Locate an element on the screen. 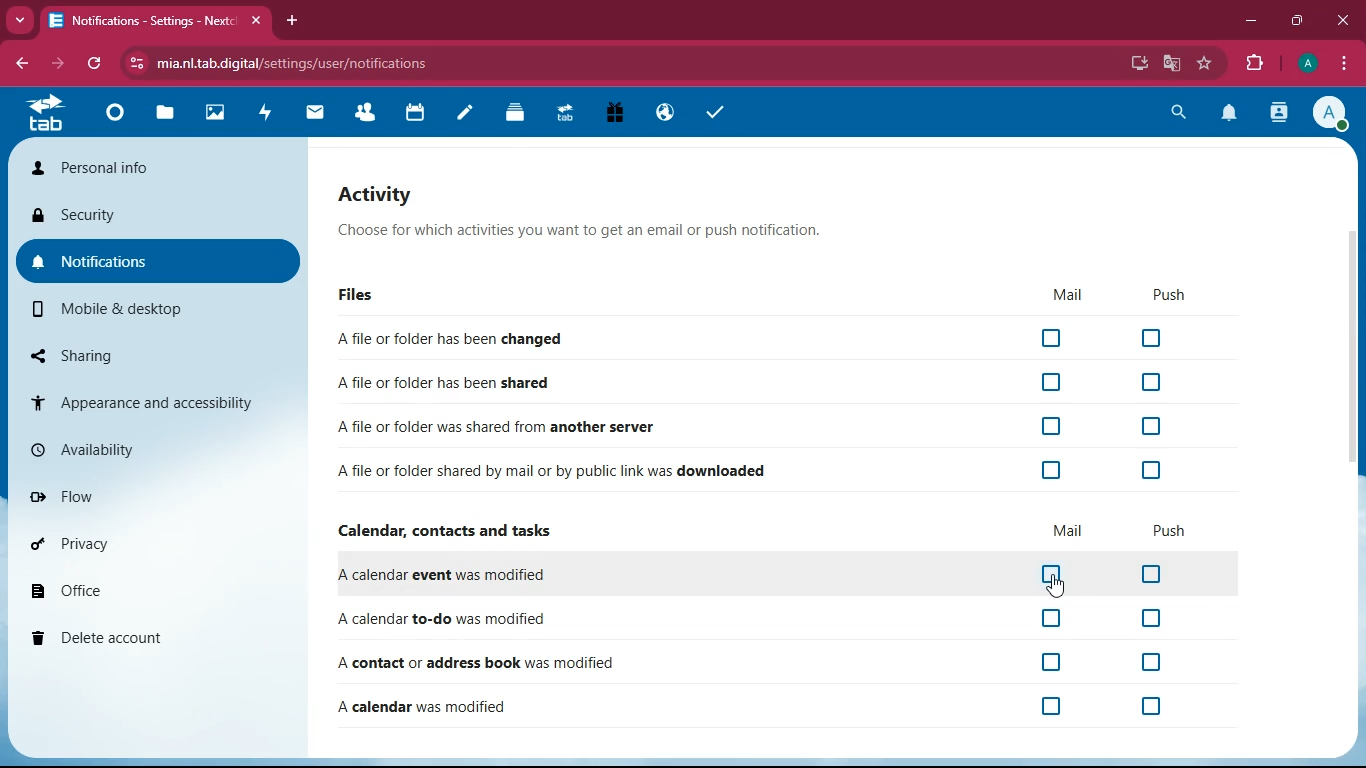 The height and width of the screenshot is (768, 1366). appearance and accessibility is located at coordinates (156, 403).